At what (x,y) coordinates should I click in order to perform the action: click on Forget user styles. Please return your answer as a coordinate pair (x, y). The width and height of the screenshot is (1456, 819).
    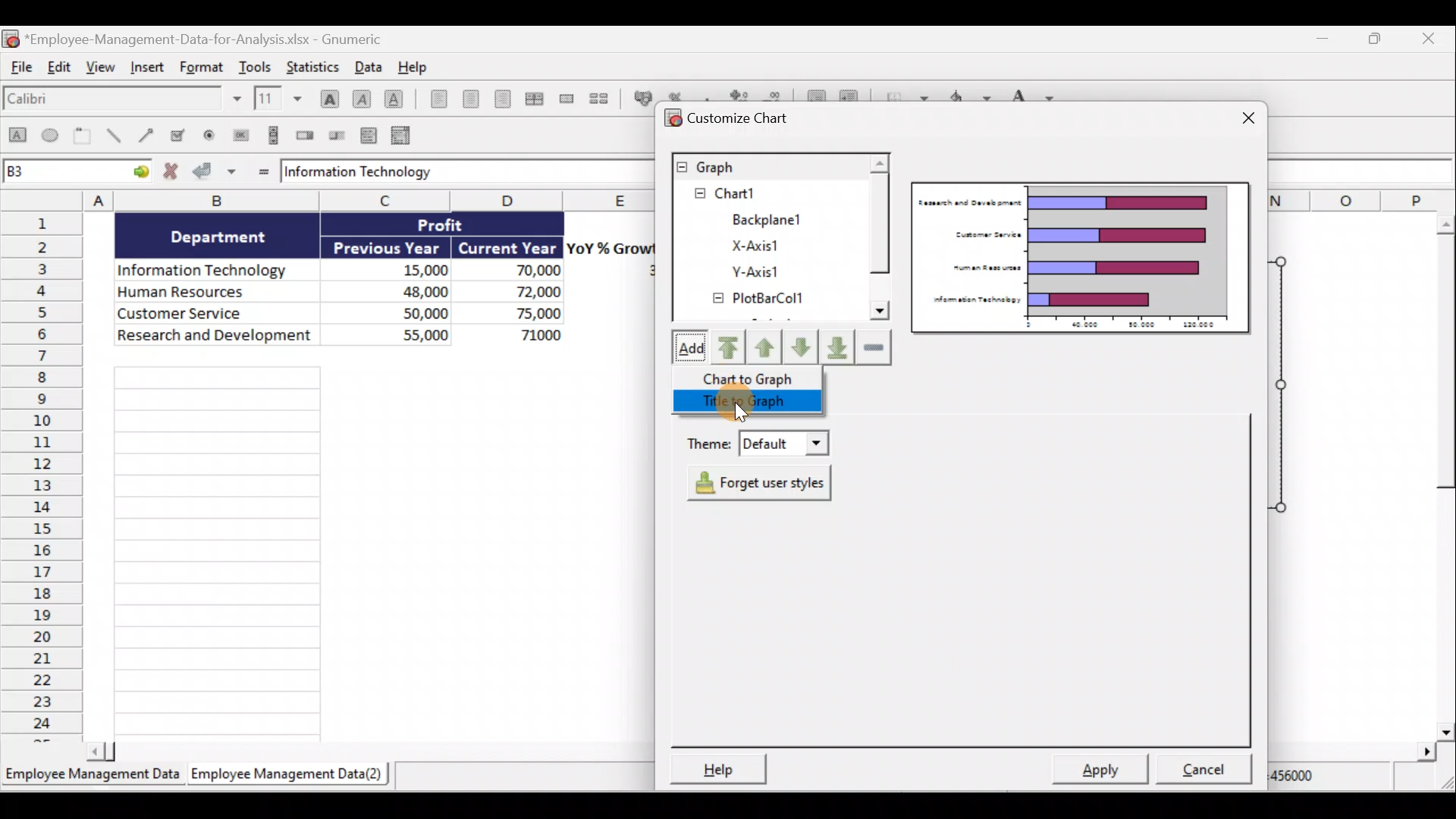
    Looking at the image, I should click on (754, 481).